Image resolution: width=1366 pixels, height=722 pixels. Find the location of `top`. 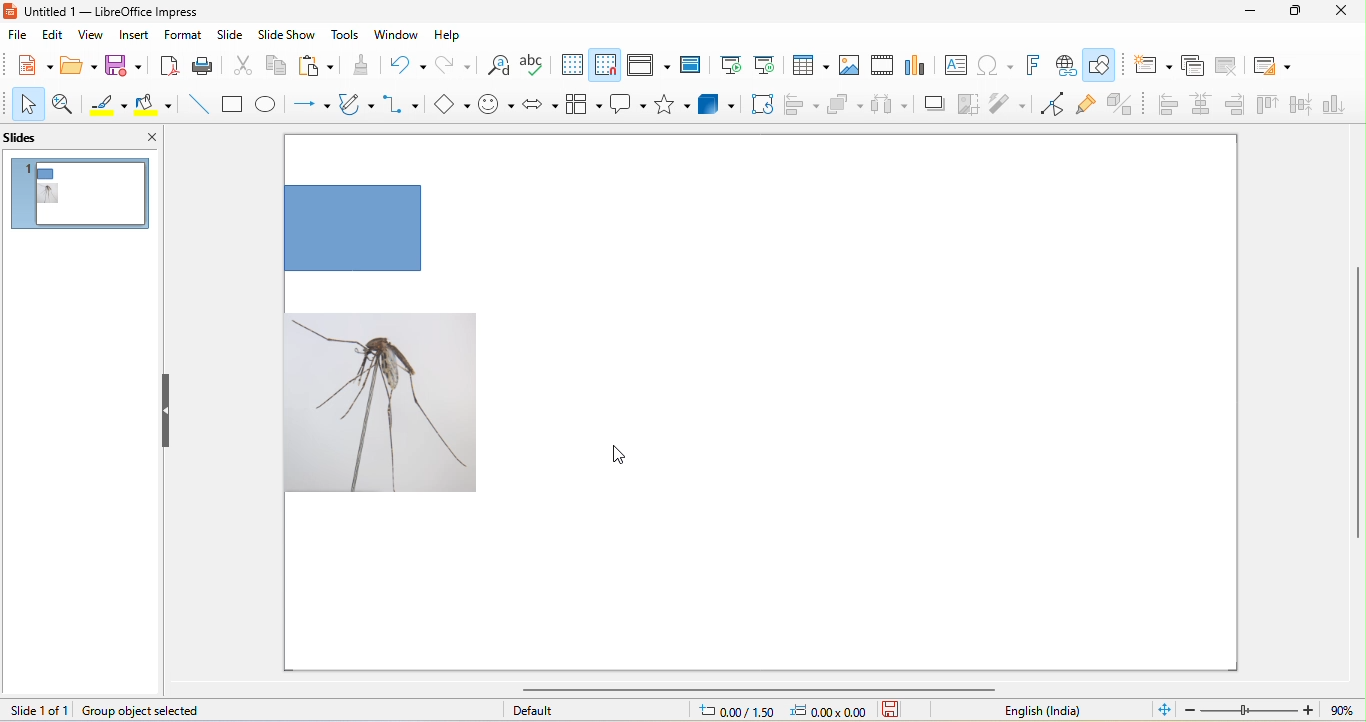

top is located at coordinates (1267, 107).